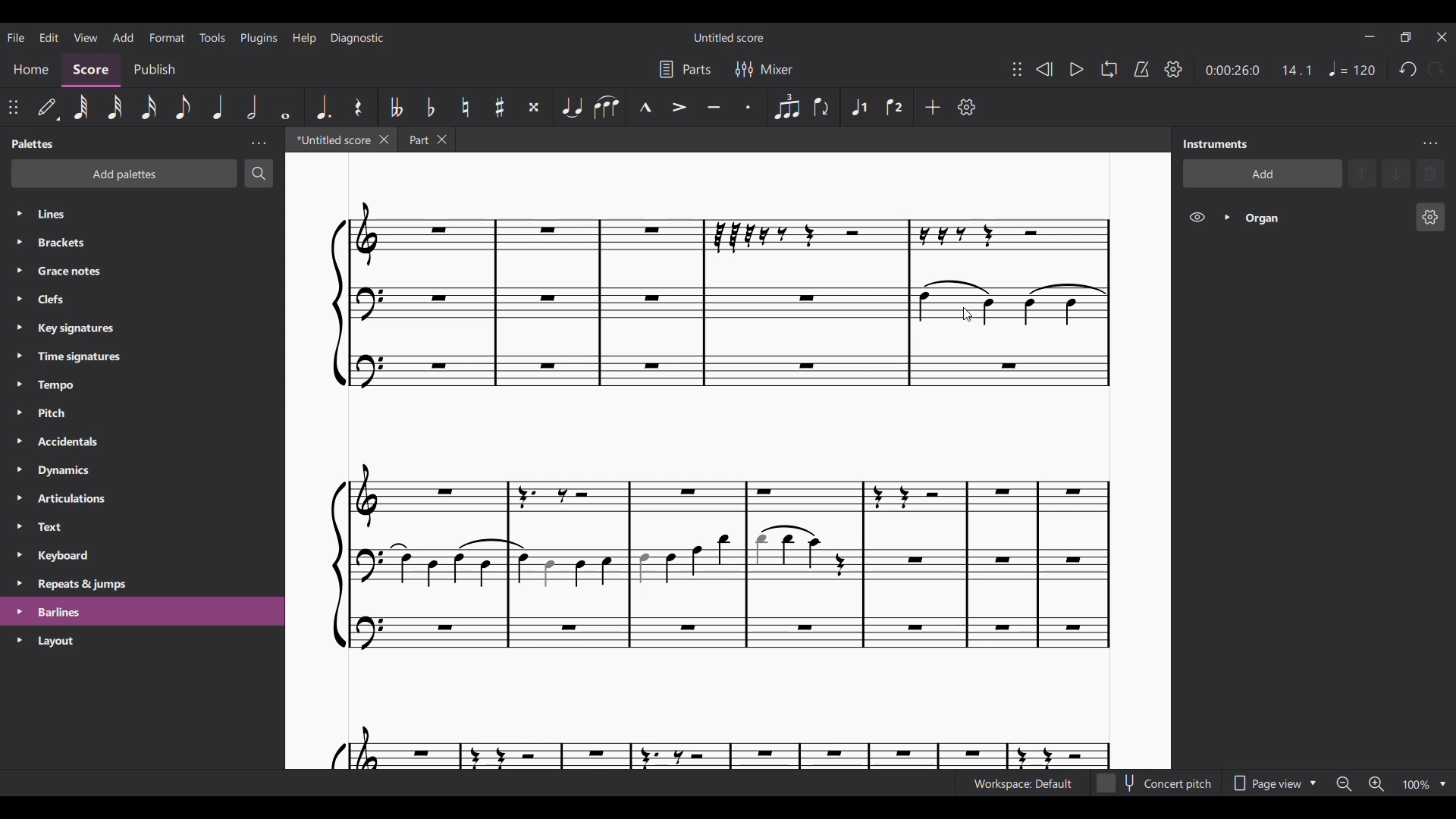 The image size is (1456, 819). What do you see at coordinates (1416, 785) in the screenshot?
I see `Zoom factor` at bounding box center [1416, 785].